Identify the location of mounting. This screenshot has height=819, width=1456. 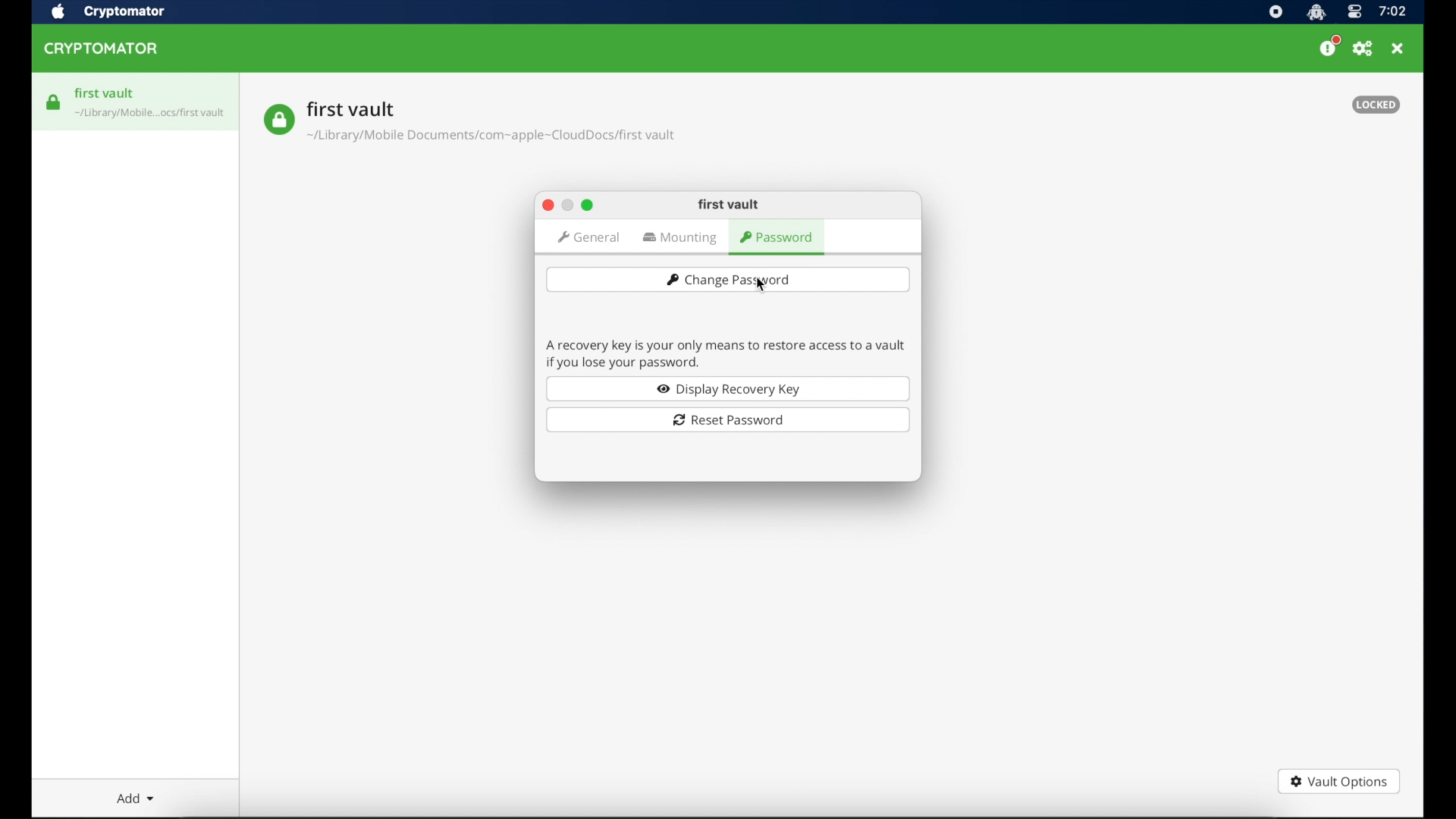
(682, 239).